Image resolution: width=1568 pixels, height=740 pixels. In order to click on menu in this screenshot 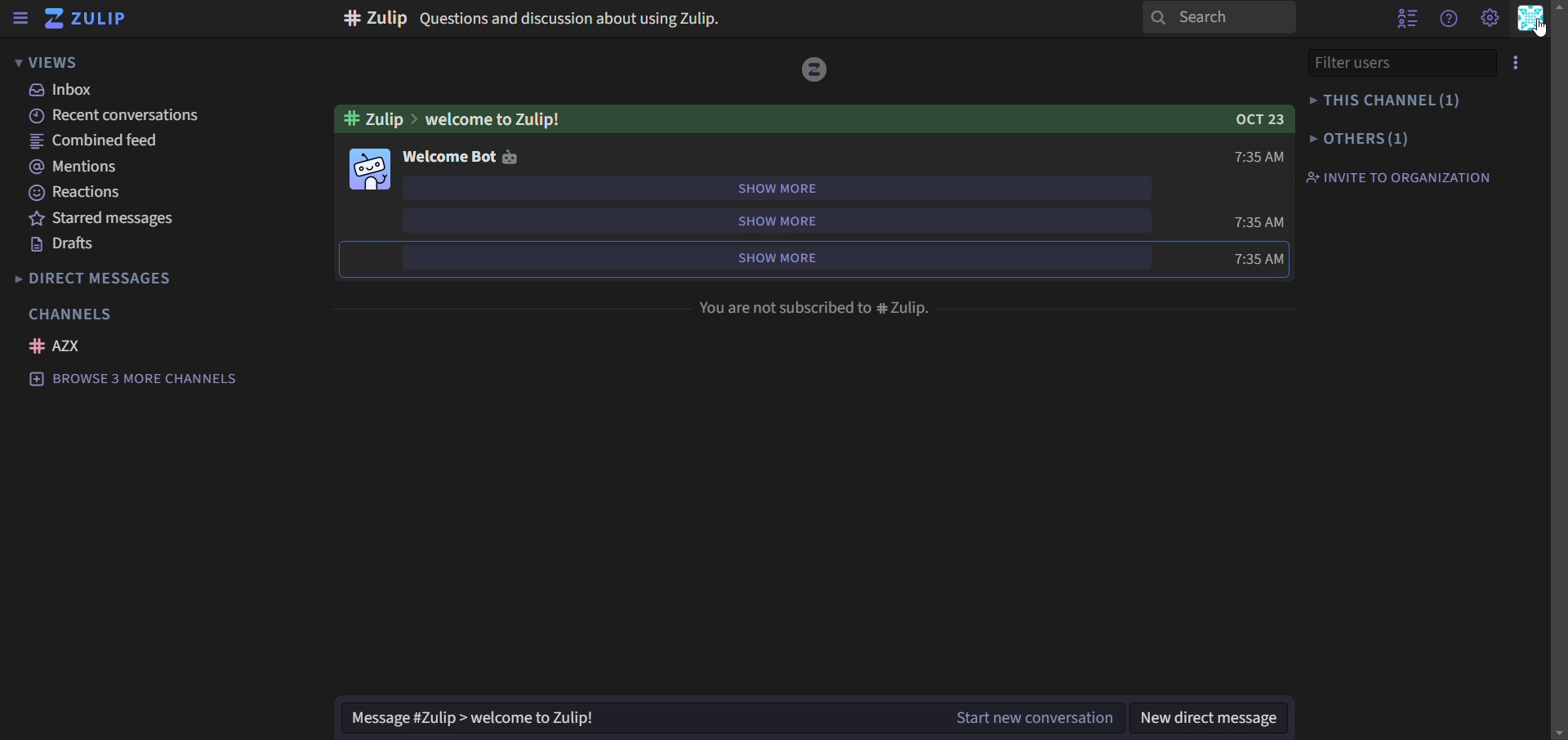, I will do `click(1518, 60)`.